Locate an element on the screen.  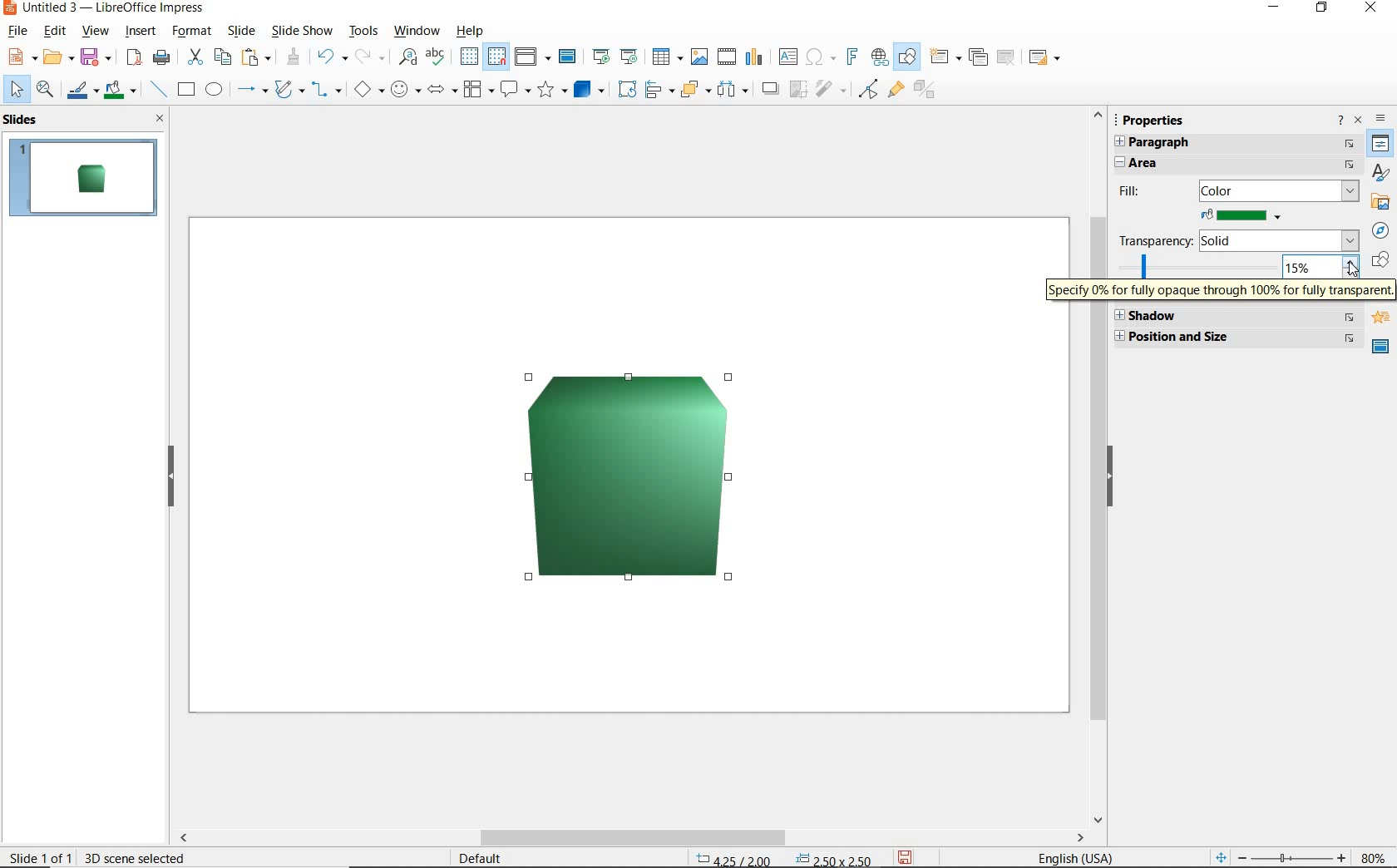
MASTER SLIDE is located at coordinates (1378, 348).